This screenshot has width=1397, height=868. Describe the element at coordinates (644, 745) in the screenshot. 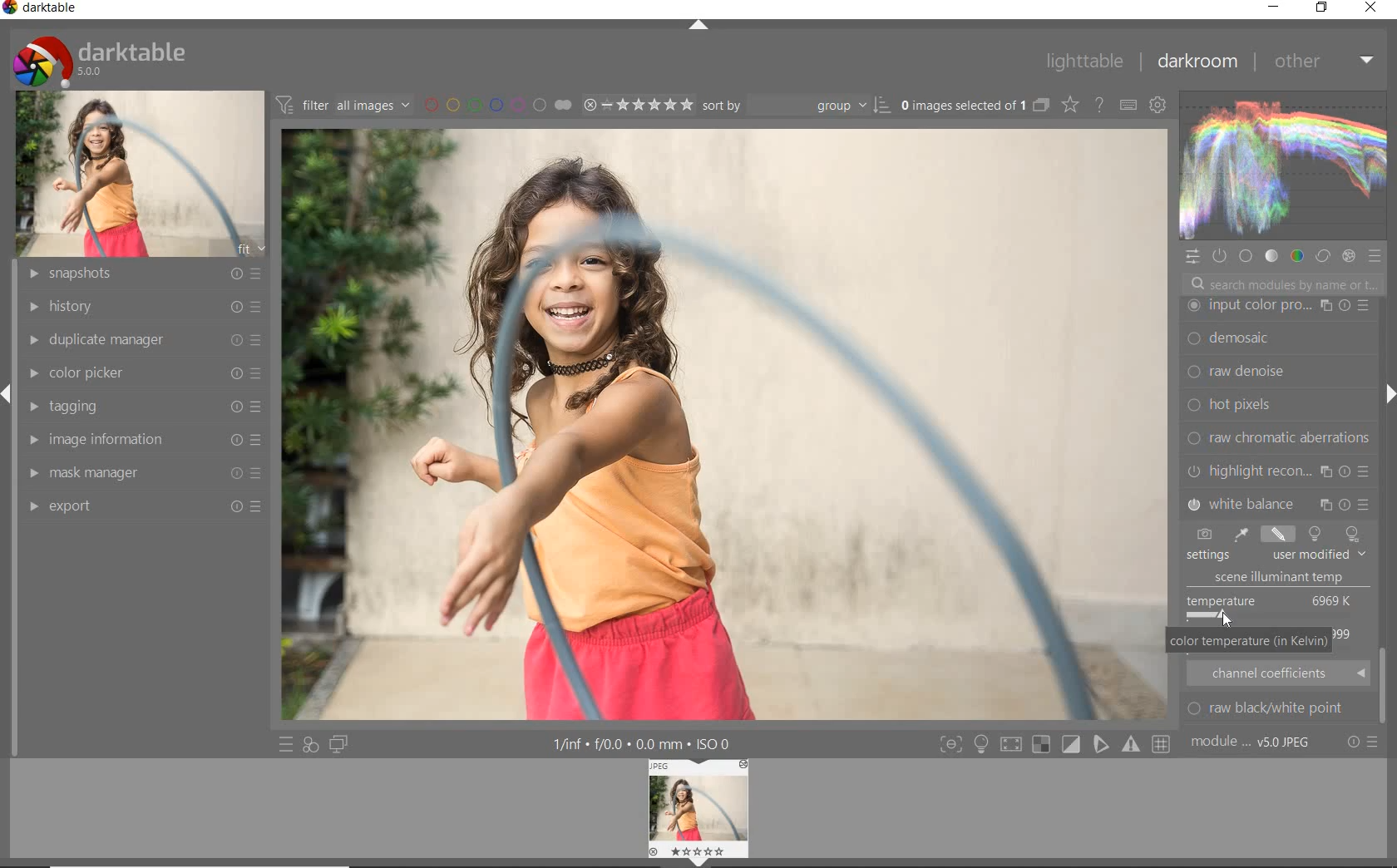

I see `other interface details` at that location.